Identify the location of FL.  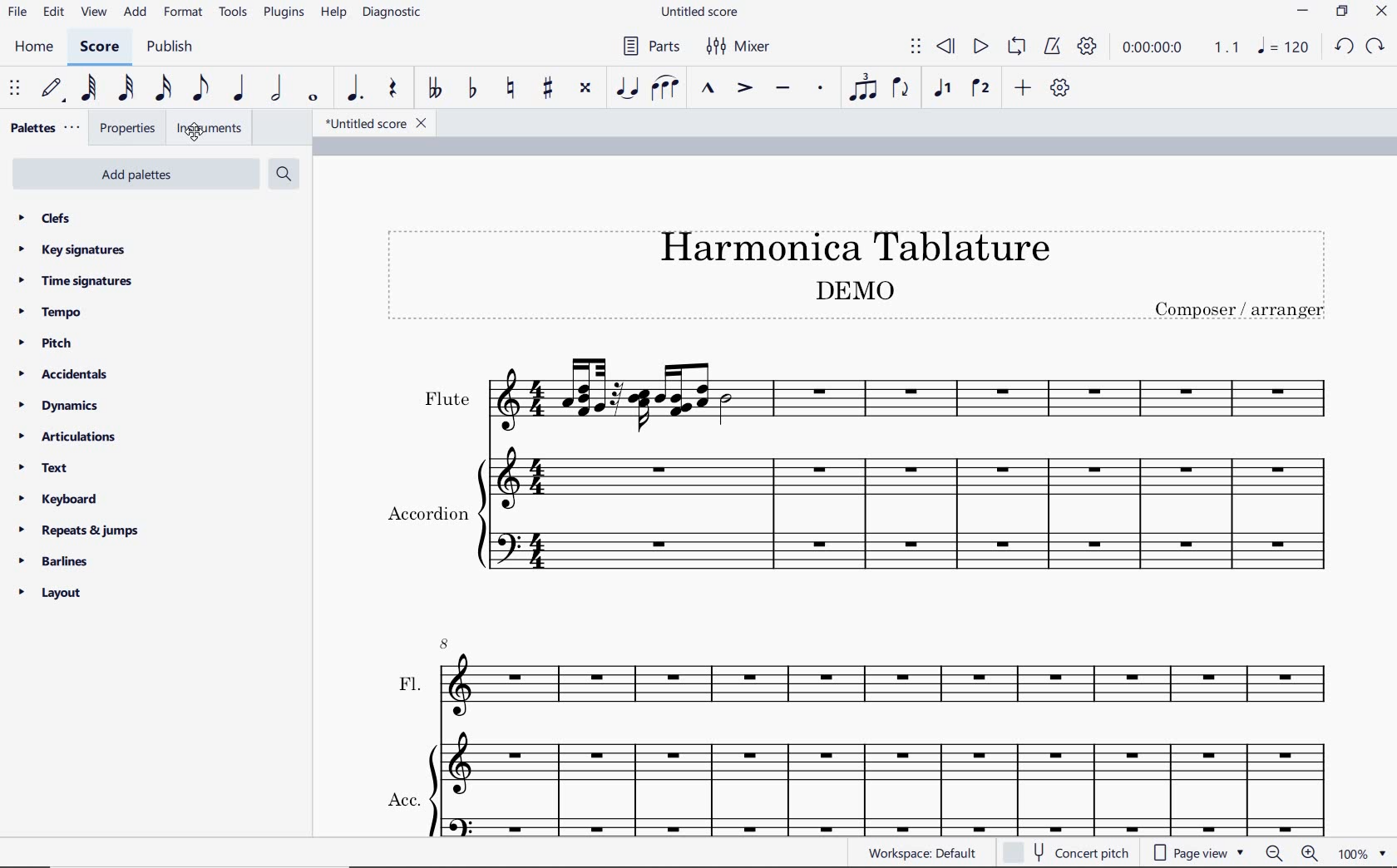
(859, 666).